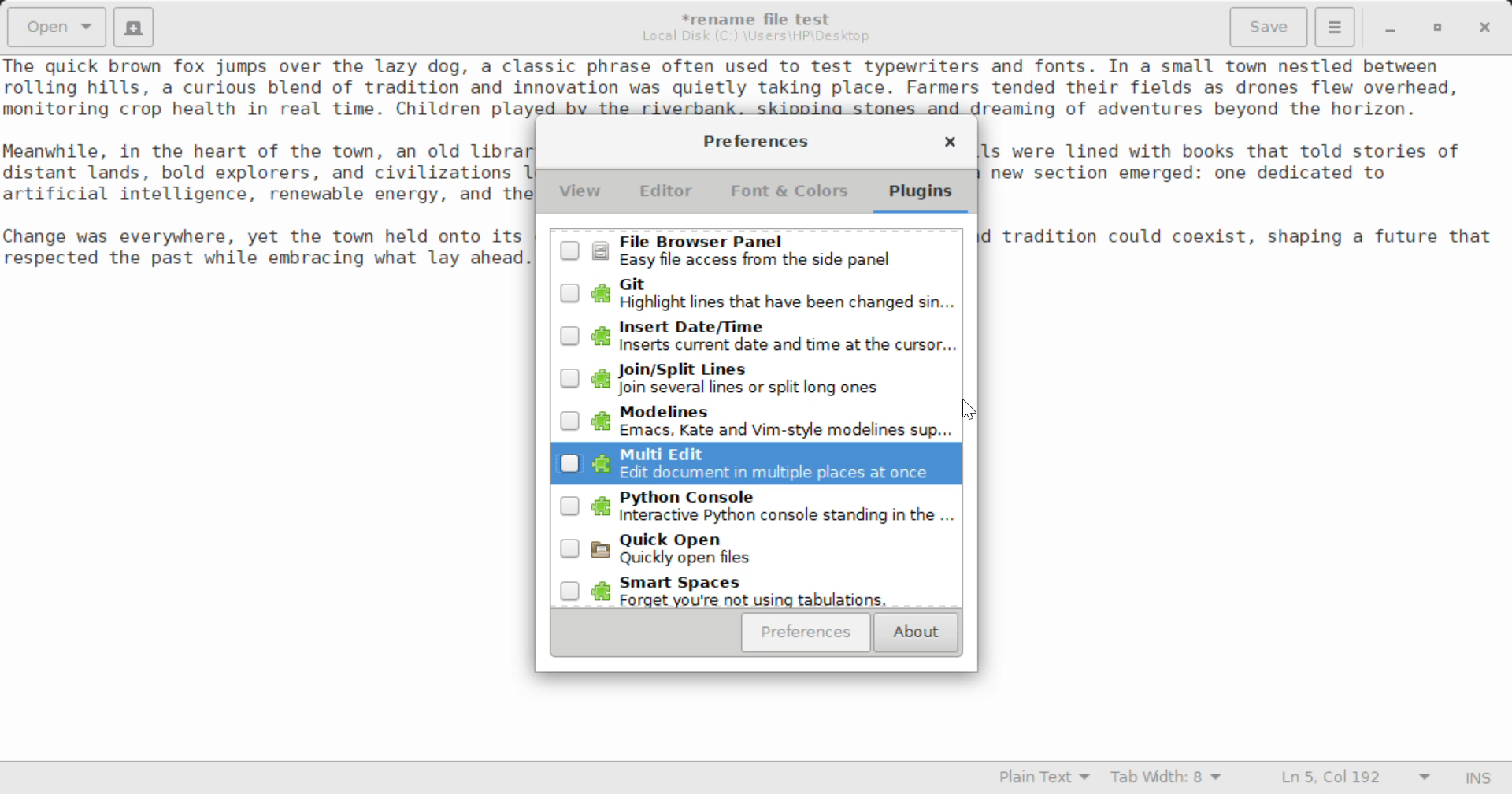  I want to click on Editor Tab, so click(669, 195).